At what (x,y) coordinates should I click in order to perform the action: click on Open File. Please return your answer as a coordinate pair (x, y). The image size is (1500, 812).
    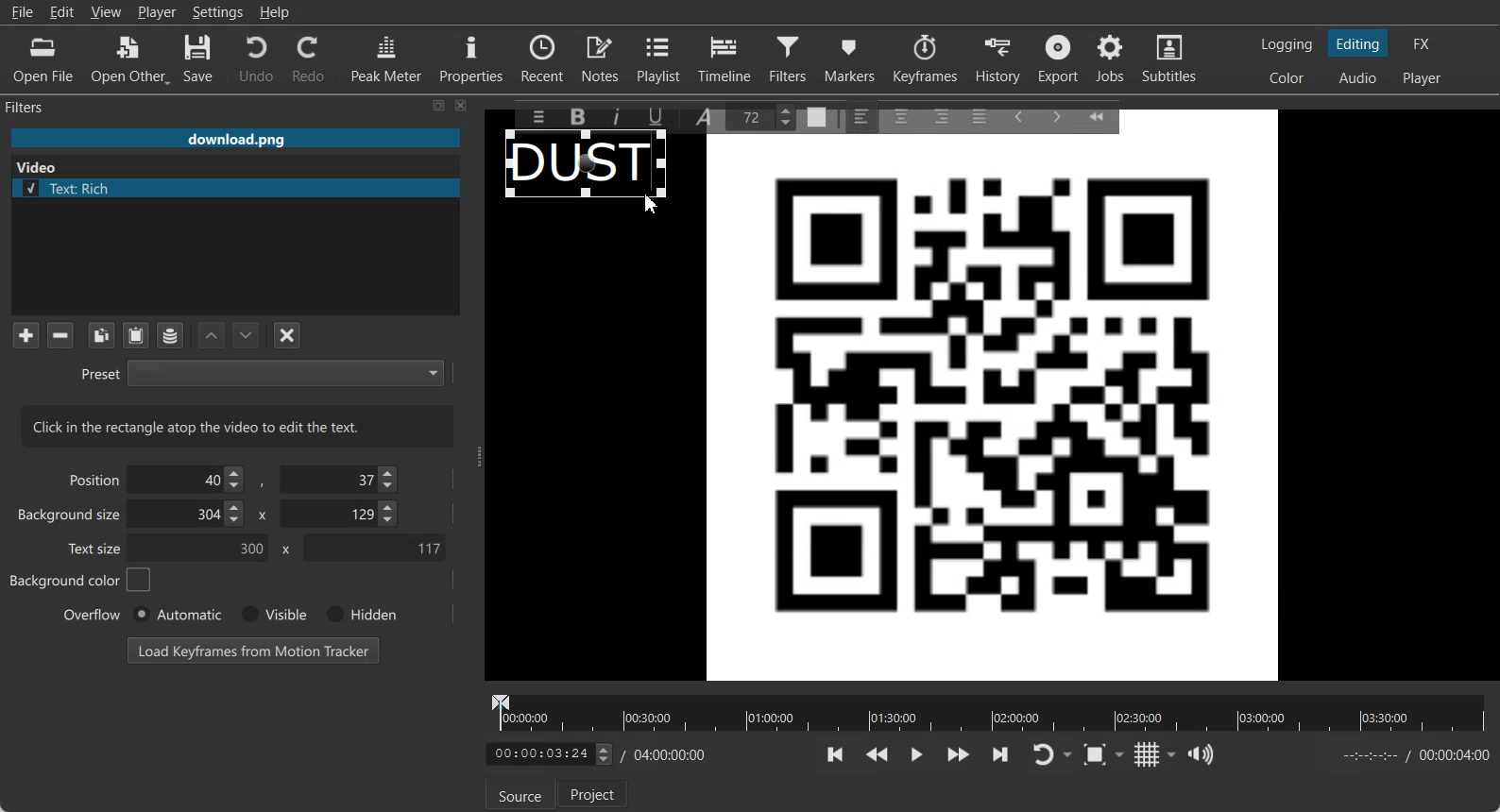
    Looking at the image, I should click on (43, 60).